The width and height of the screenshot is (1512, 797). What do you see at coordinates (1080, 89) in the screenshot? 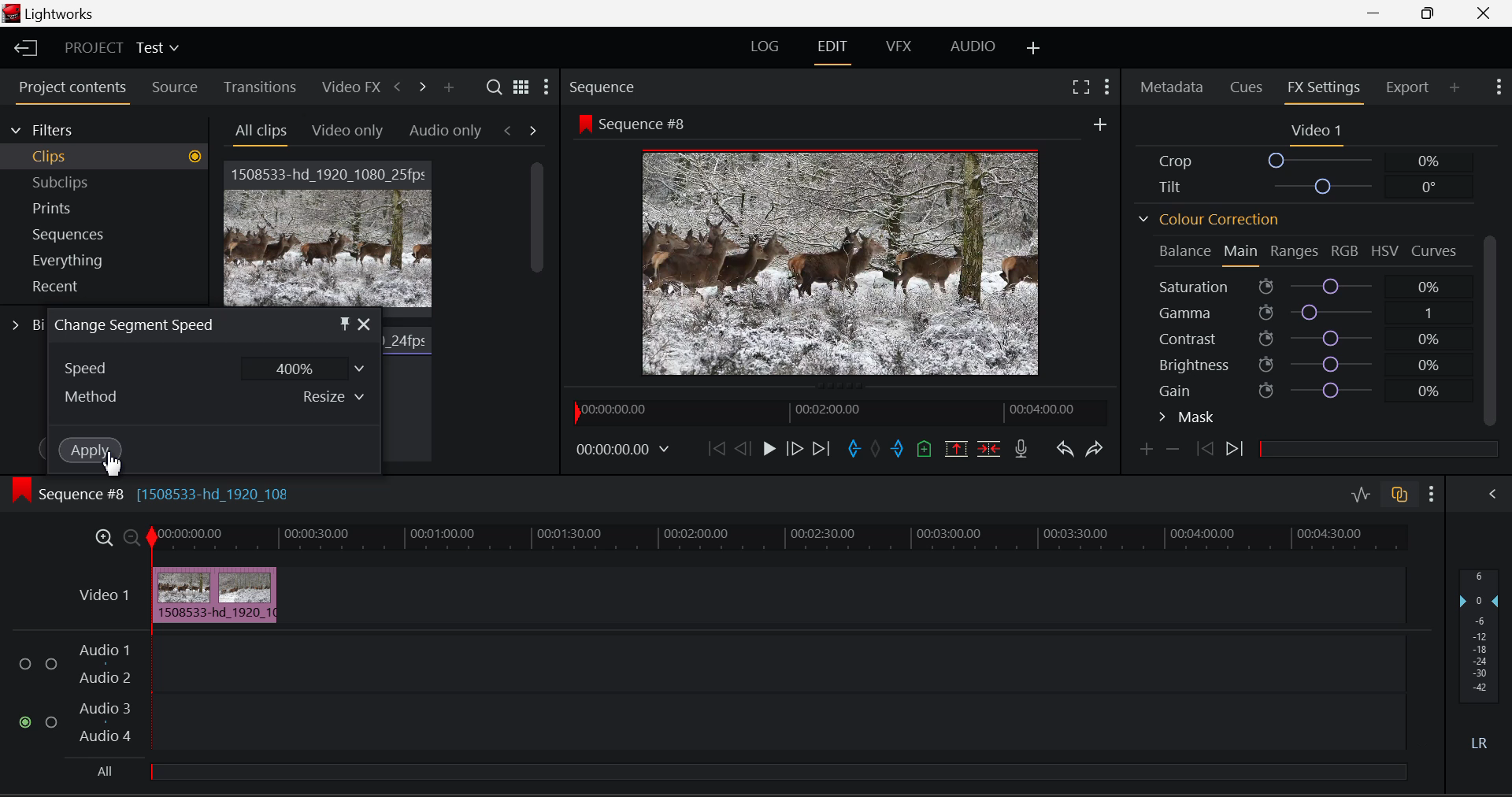
I see `Full Screen` at bounding box center [1080, 89].